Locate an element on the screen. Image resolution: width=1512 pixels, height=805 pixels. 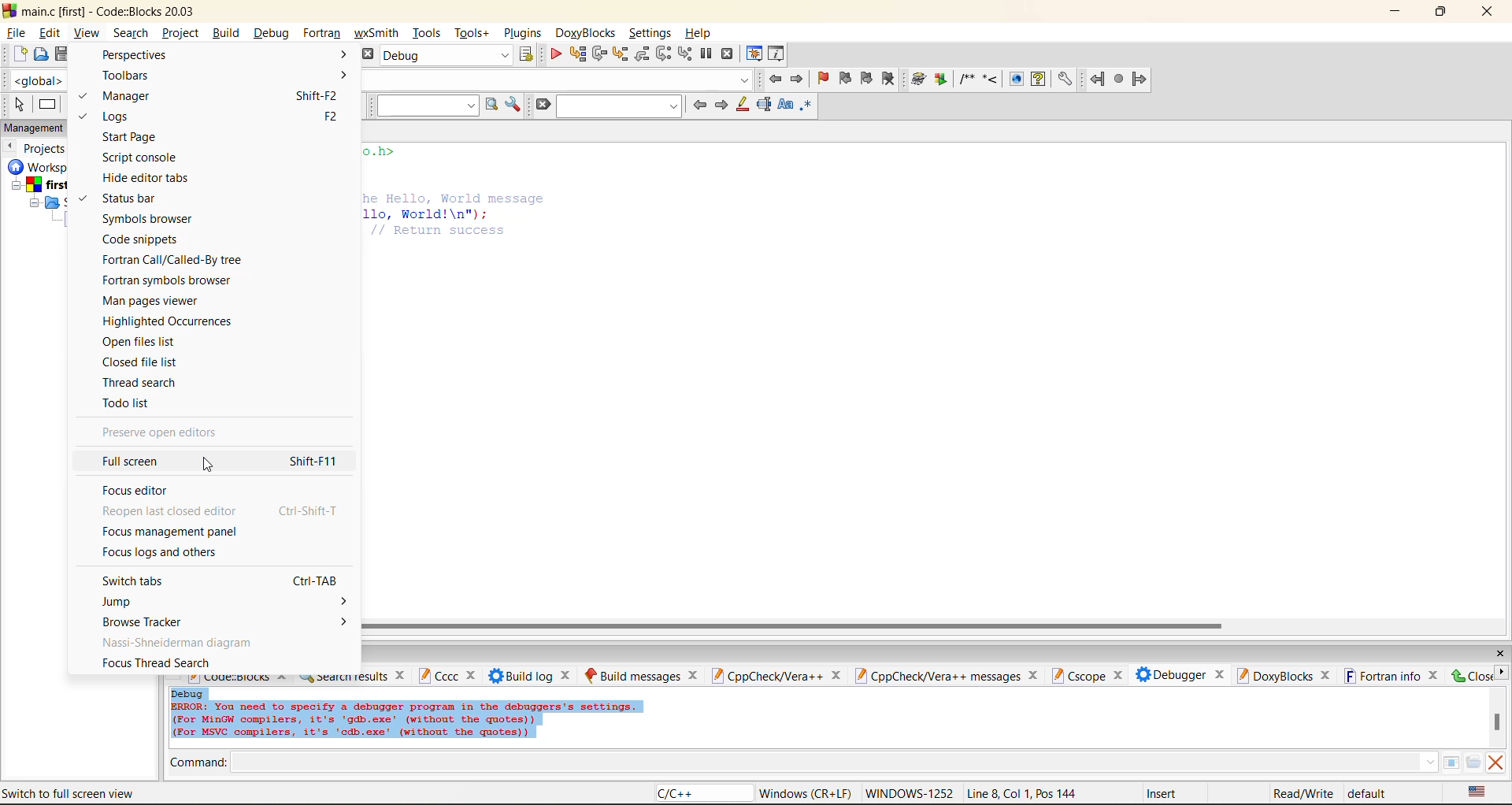
settings is located at coordinates (651, 33).